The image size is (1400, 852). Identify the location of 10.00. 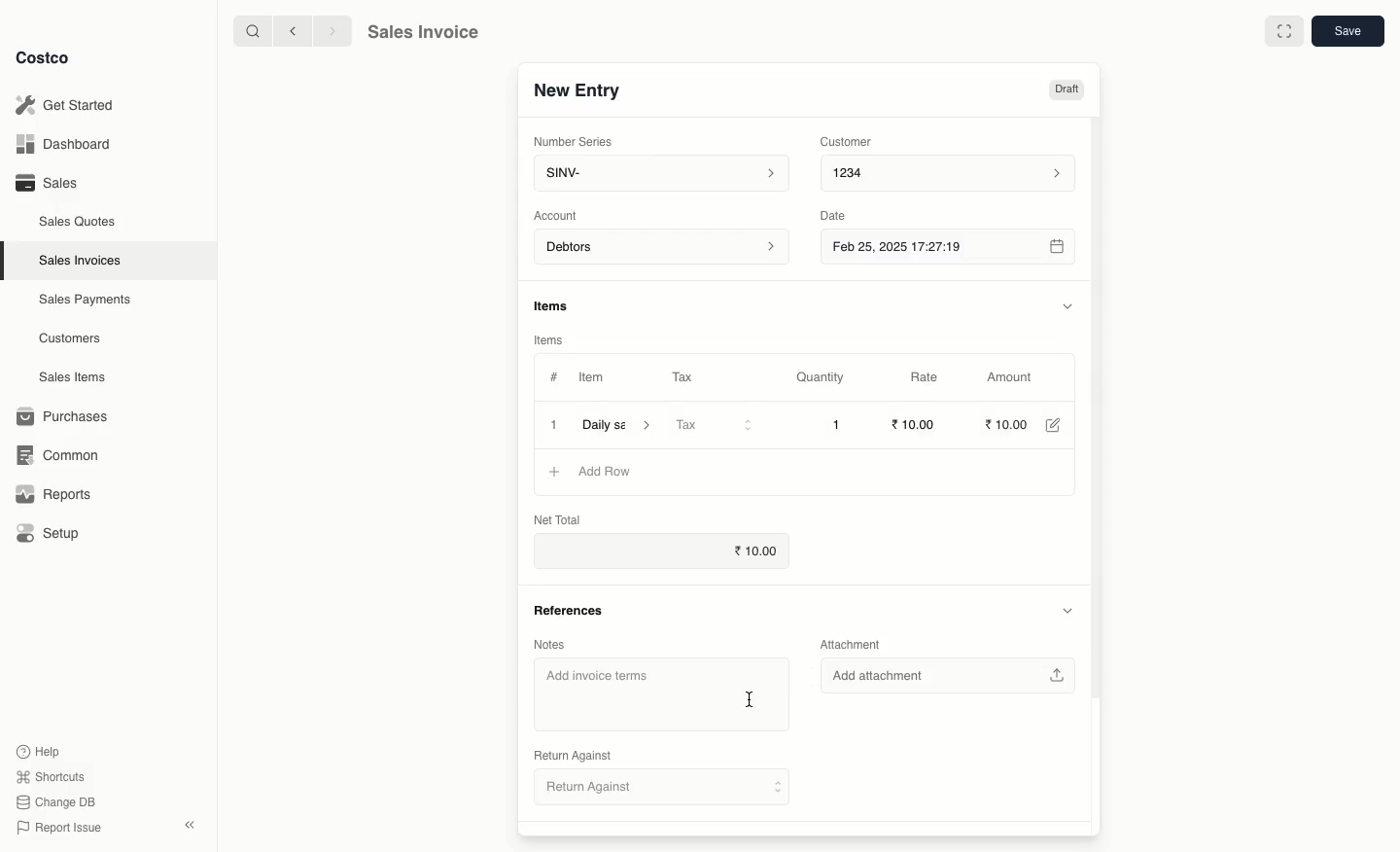
(750, 552).